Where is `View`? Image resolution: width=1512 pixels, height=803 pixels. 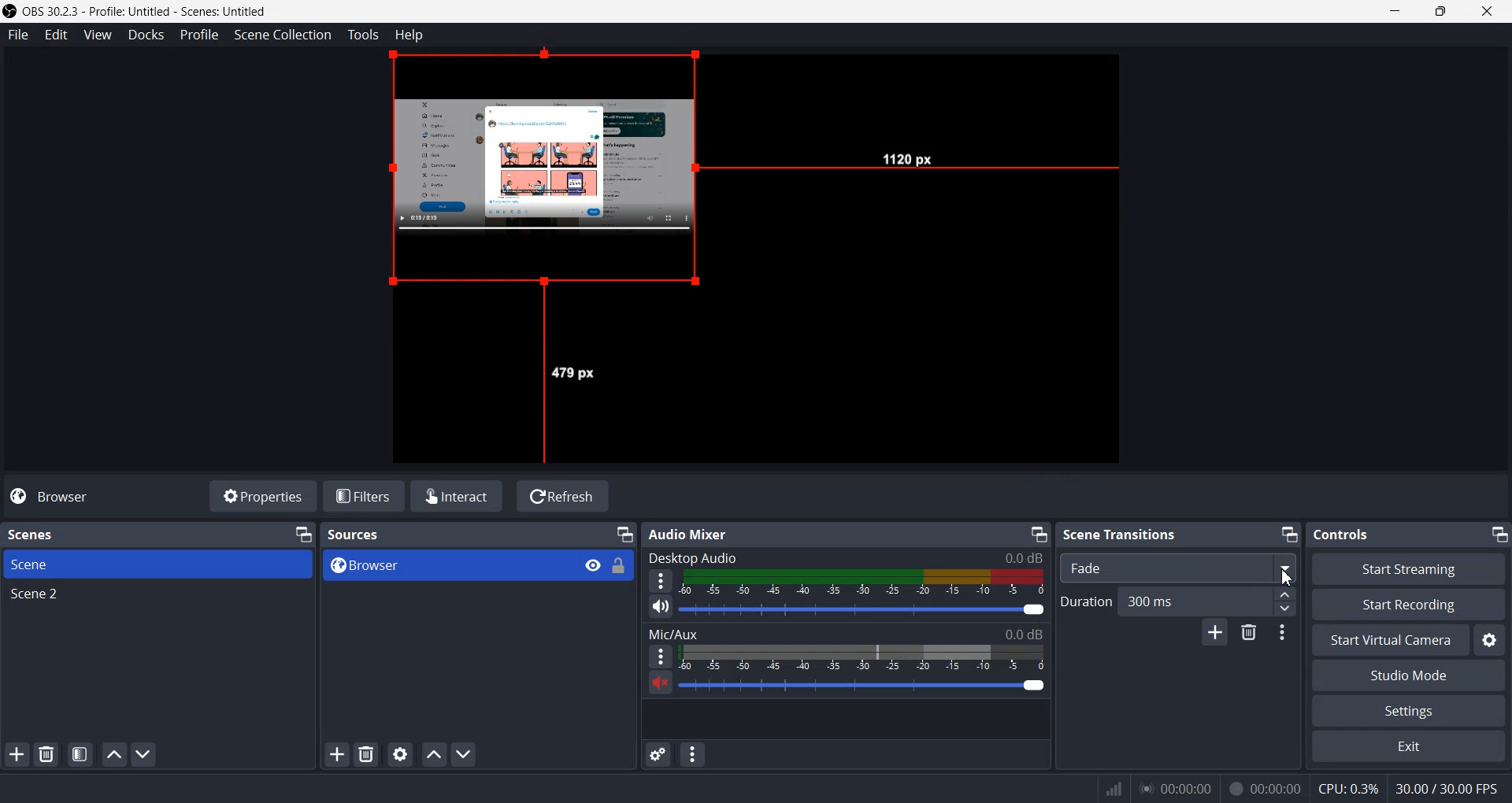 View is located at coordinates (96, 35).